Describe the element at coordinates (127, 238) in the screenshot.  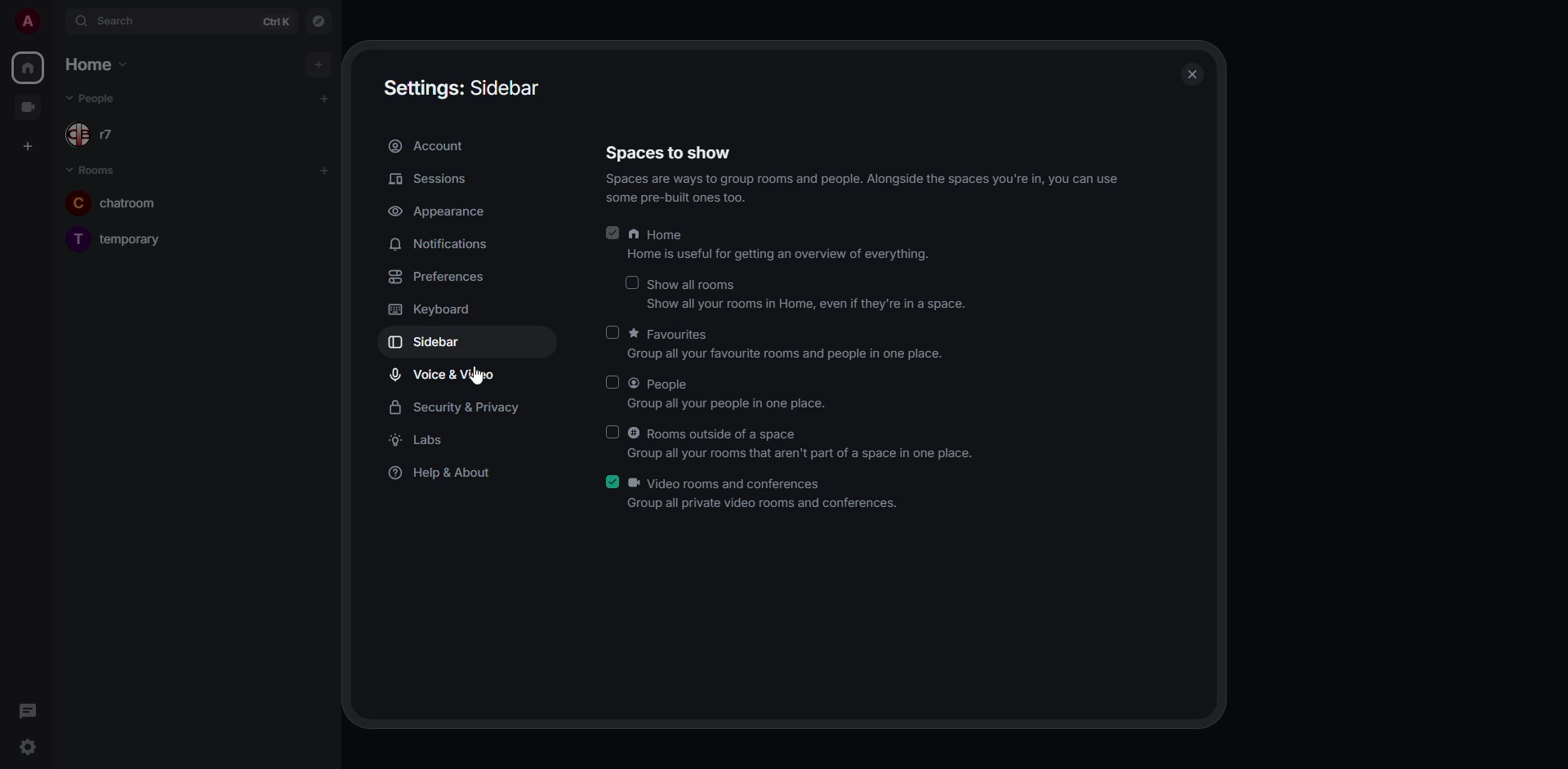
I see `room` at that location.